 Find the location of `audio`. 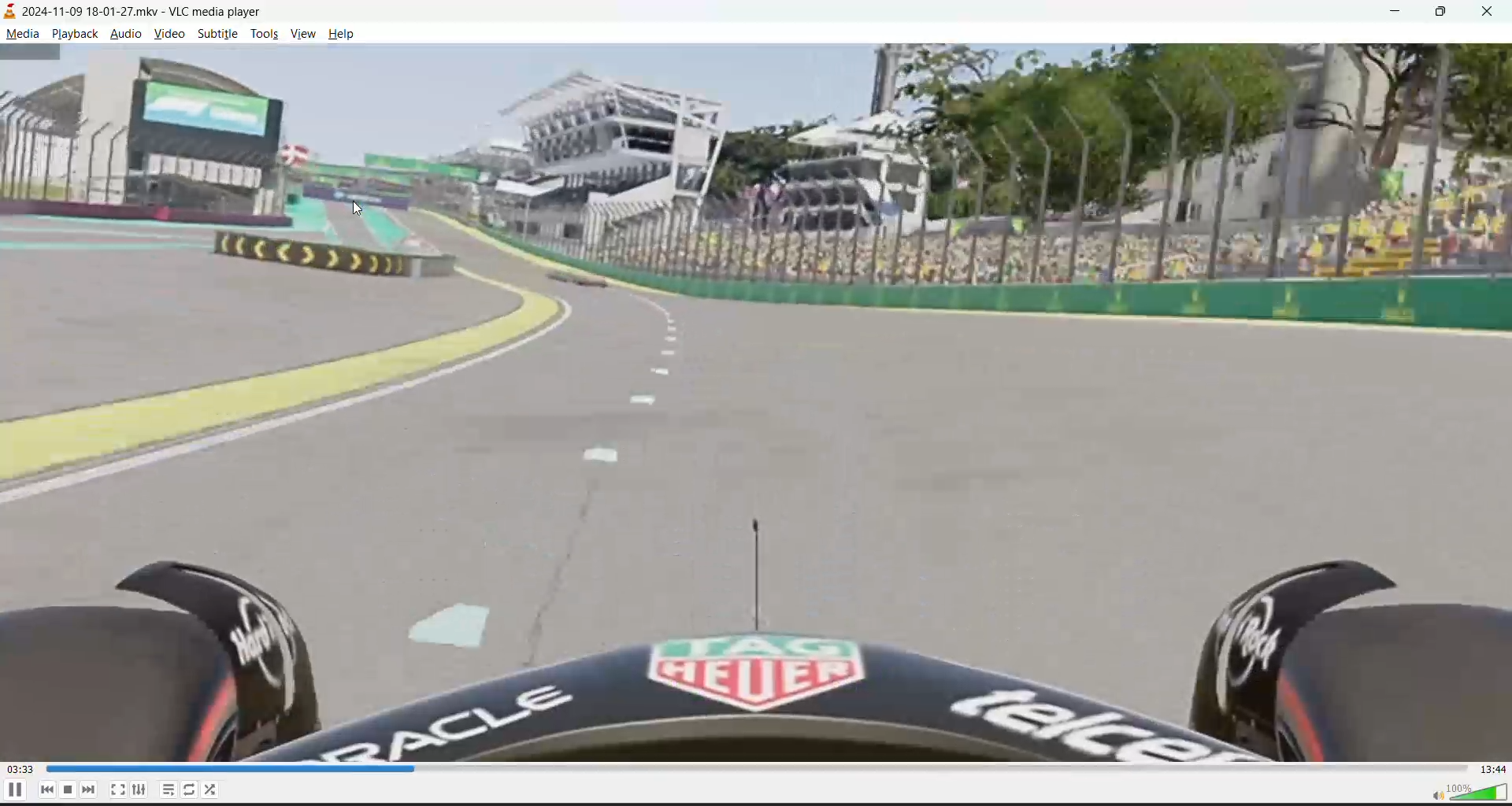

audio is located at coordinates (128, 31).